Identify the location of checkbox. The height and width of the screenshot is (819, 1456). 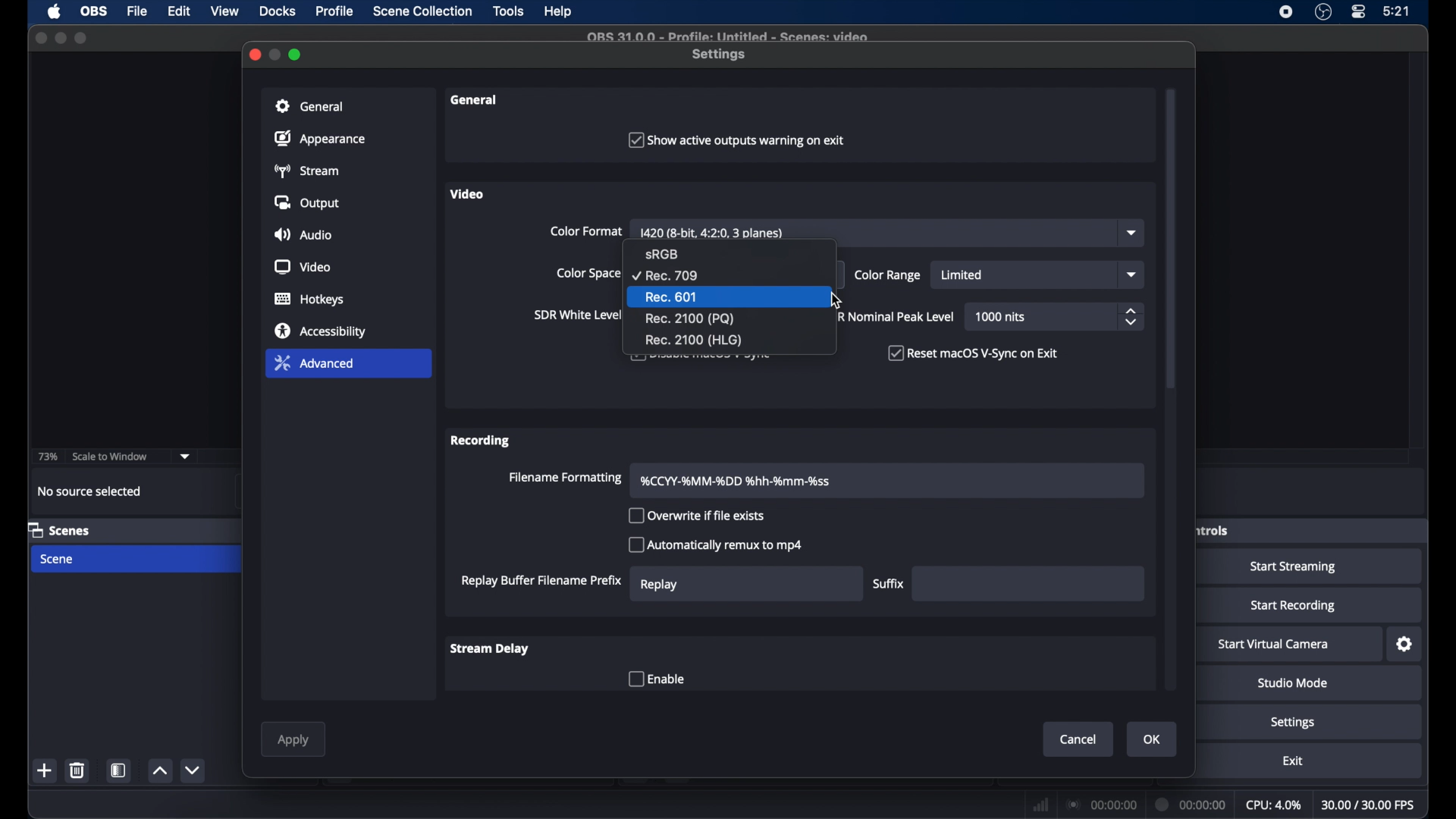
(736, 140).